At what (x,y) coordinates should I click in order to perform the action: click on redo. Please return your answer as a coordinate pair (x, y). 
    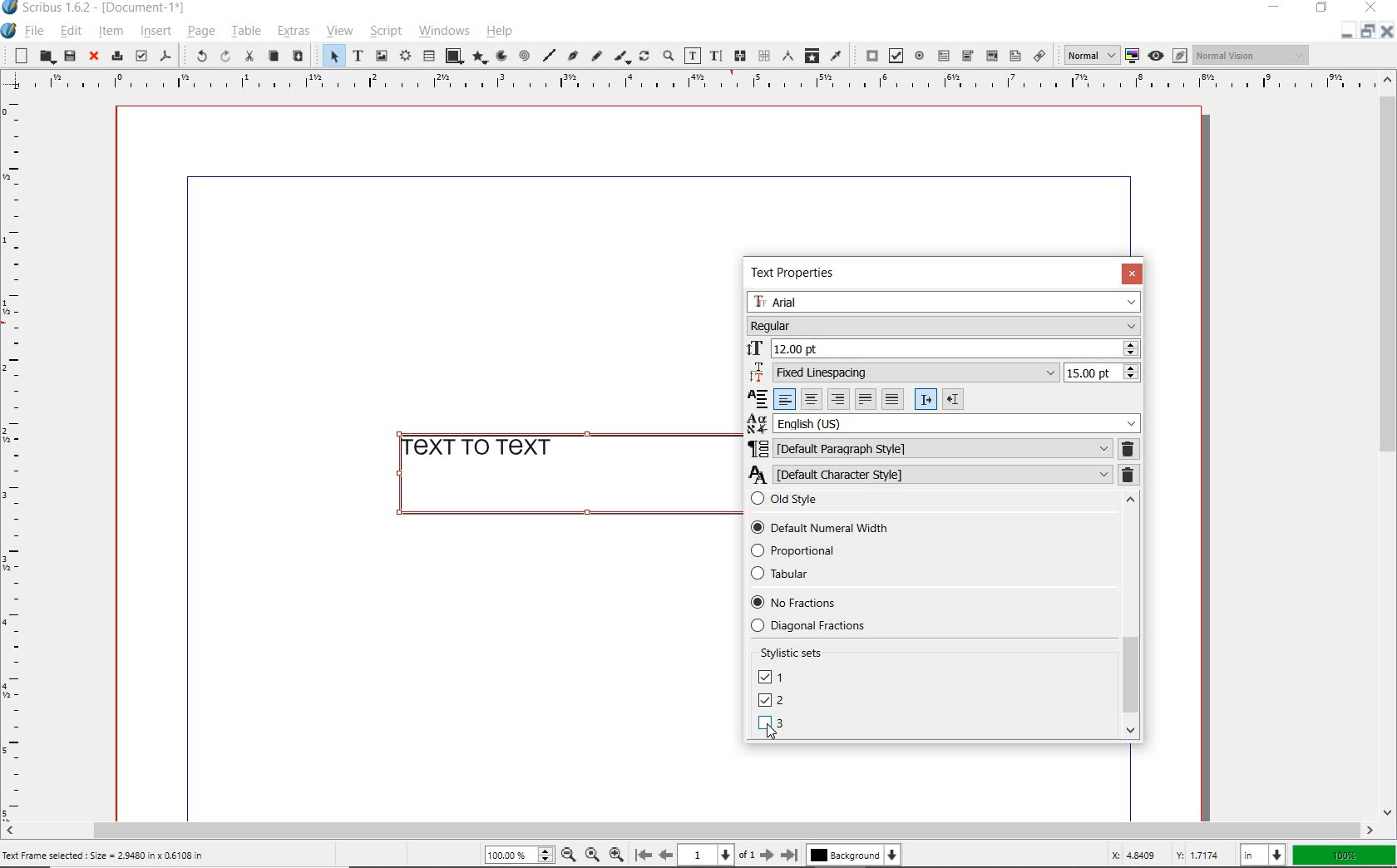
    Looking at the image, I should click on (224, 56).